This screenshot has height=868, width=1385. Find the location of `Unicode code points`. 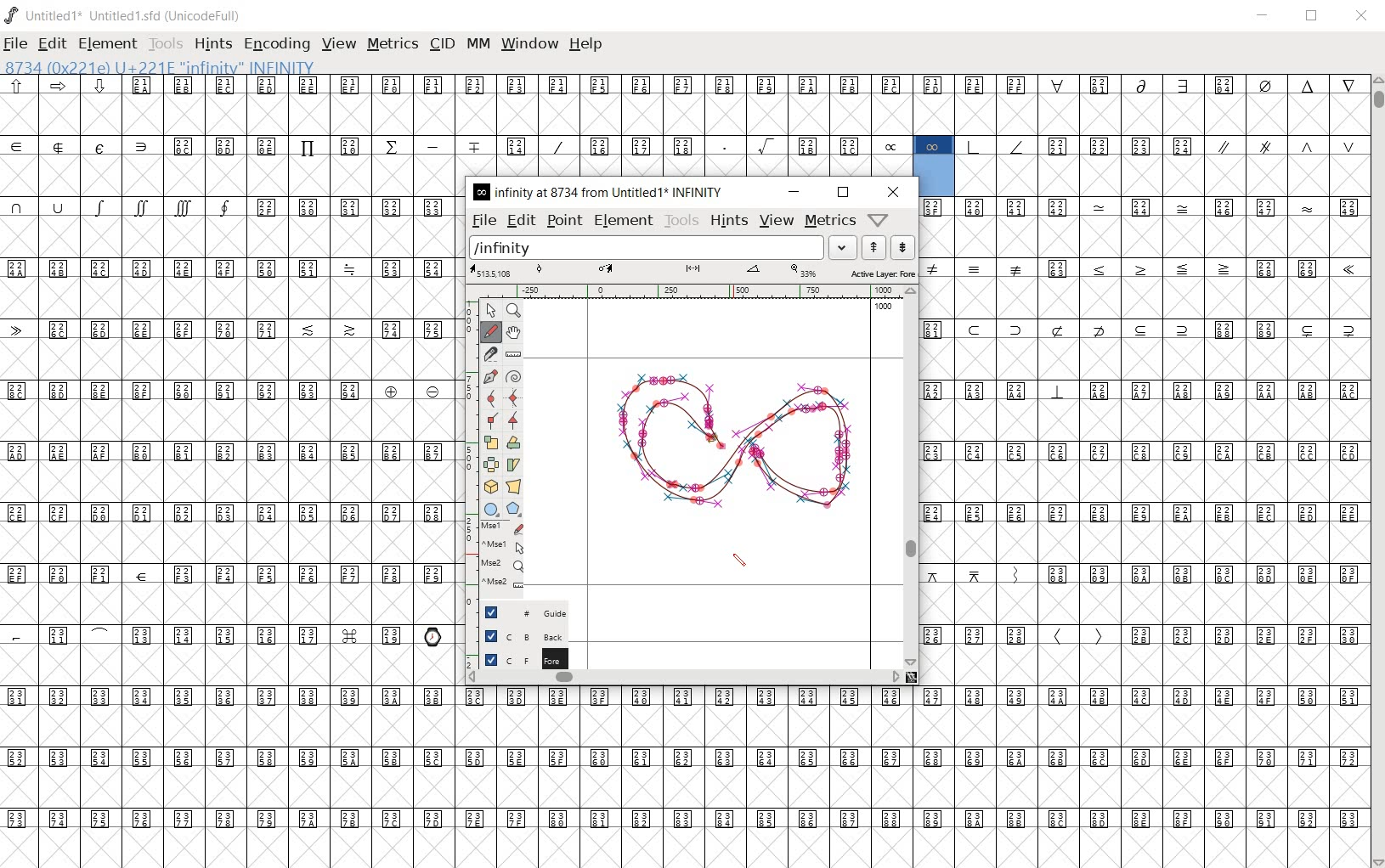

Unicode code points is located at coordinates (998, 206).